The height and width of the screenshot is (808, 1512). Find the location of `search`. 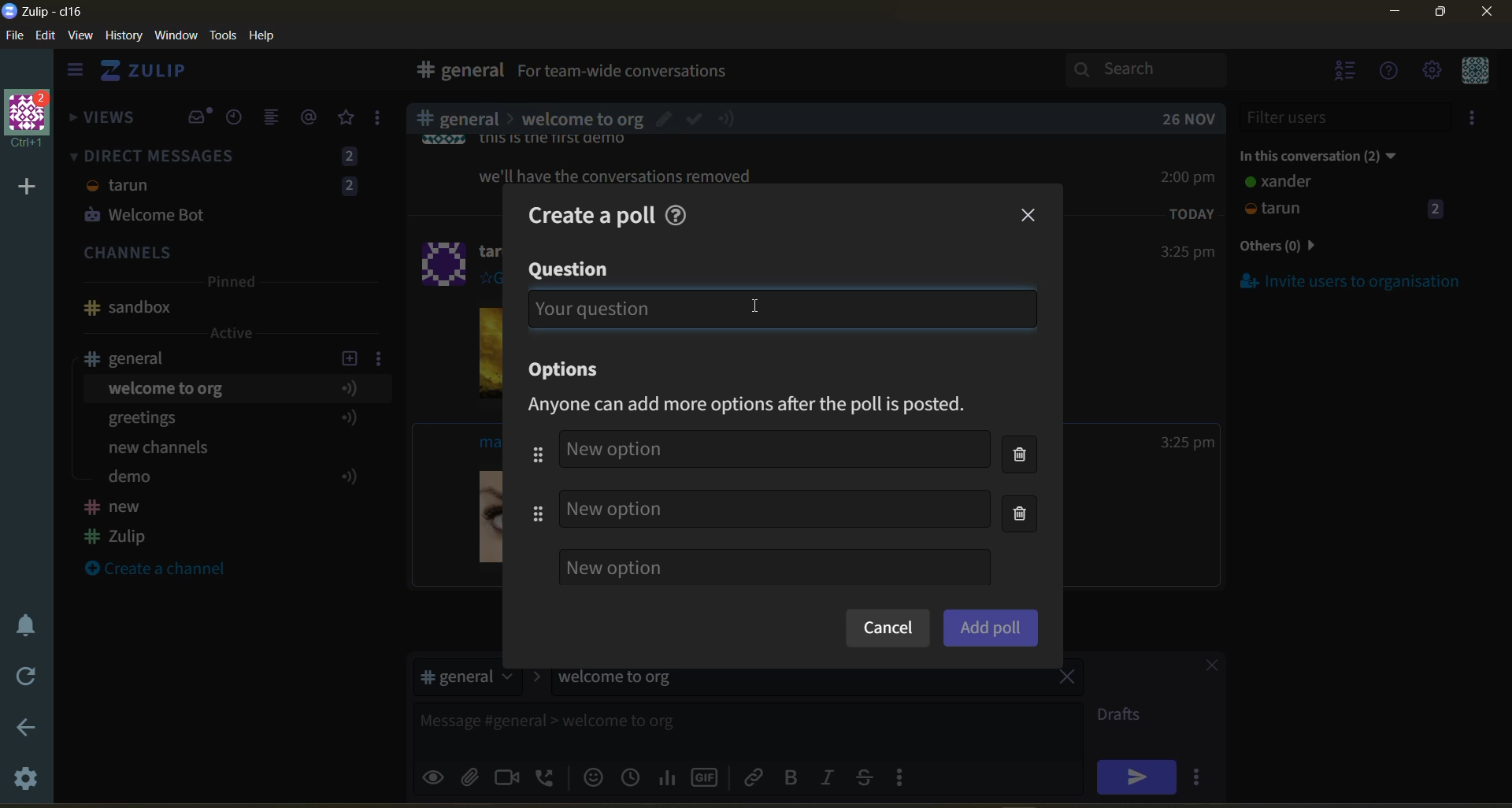

search is located at coordinates (1160, 69).